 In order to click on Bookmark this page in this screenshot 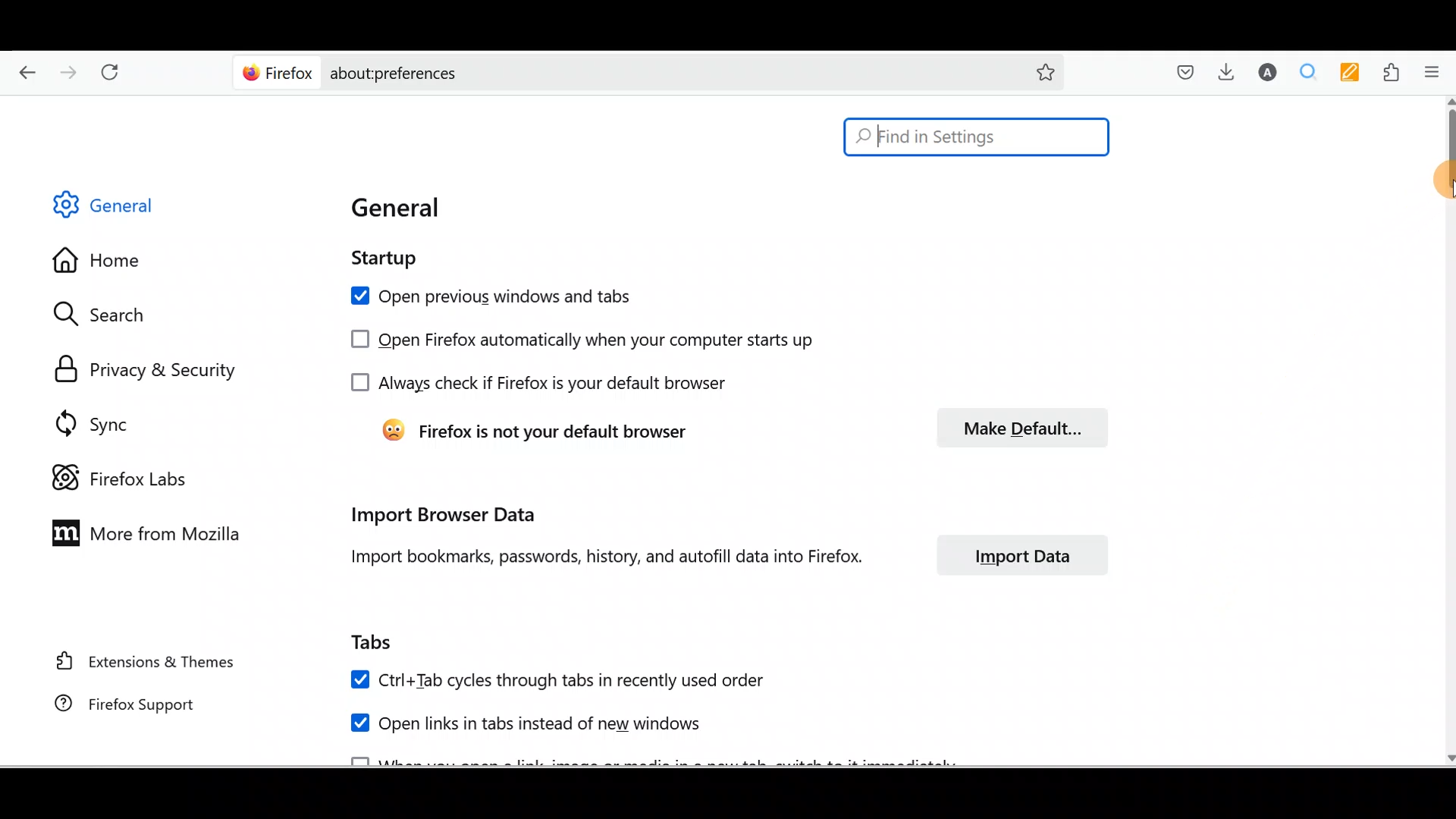, I will do `click(1034, 71)`.